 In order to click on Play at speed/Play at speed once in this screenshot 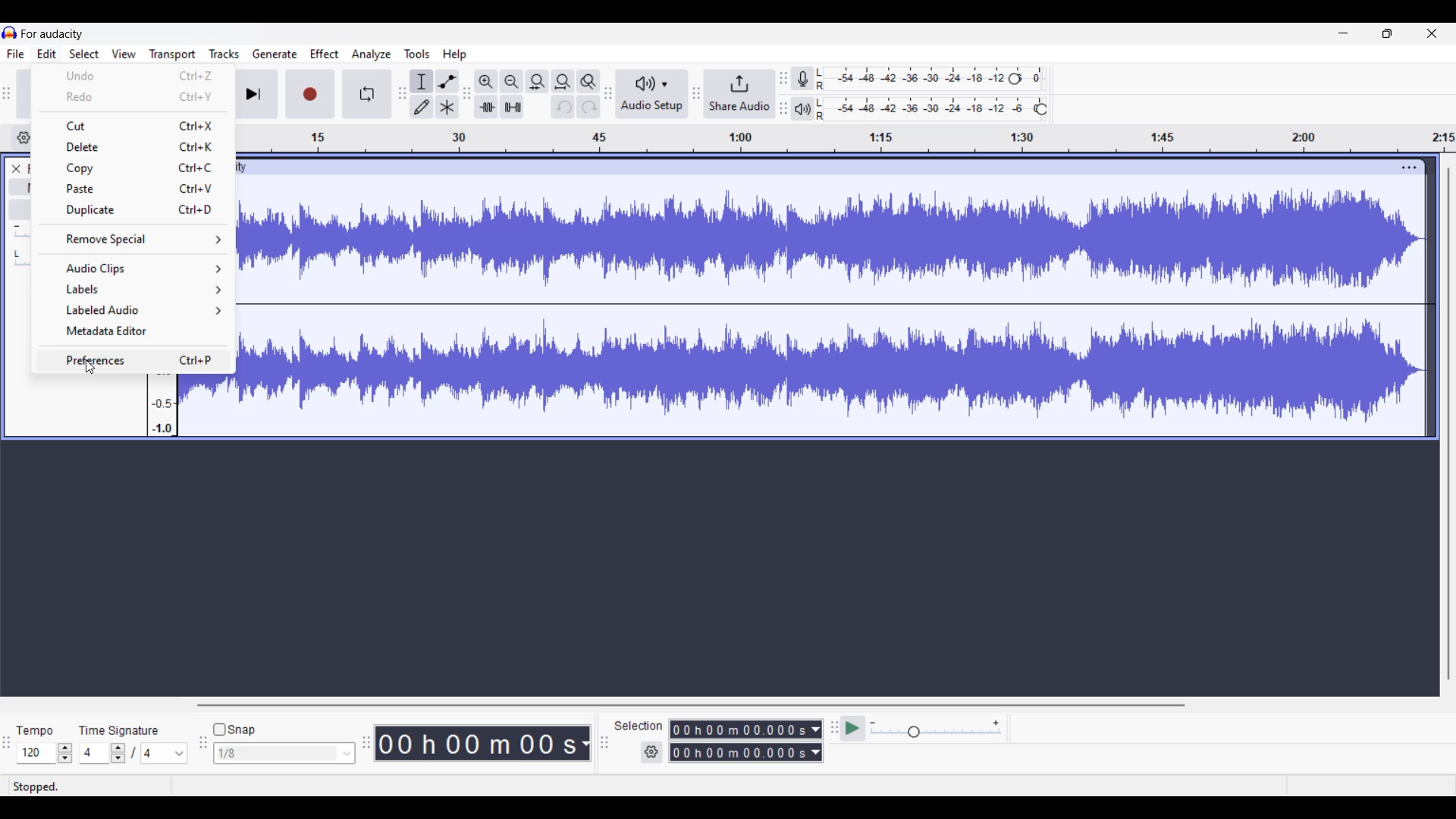, I will do `click(852, 728)`.